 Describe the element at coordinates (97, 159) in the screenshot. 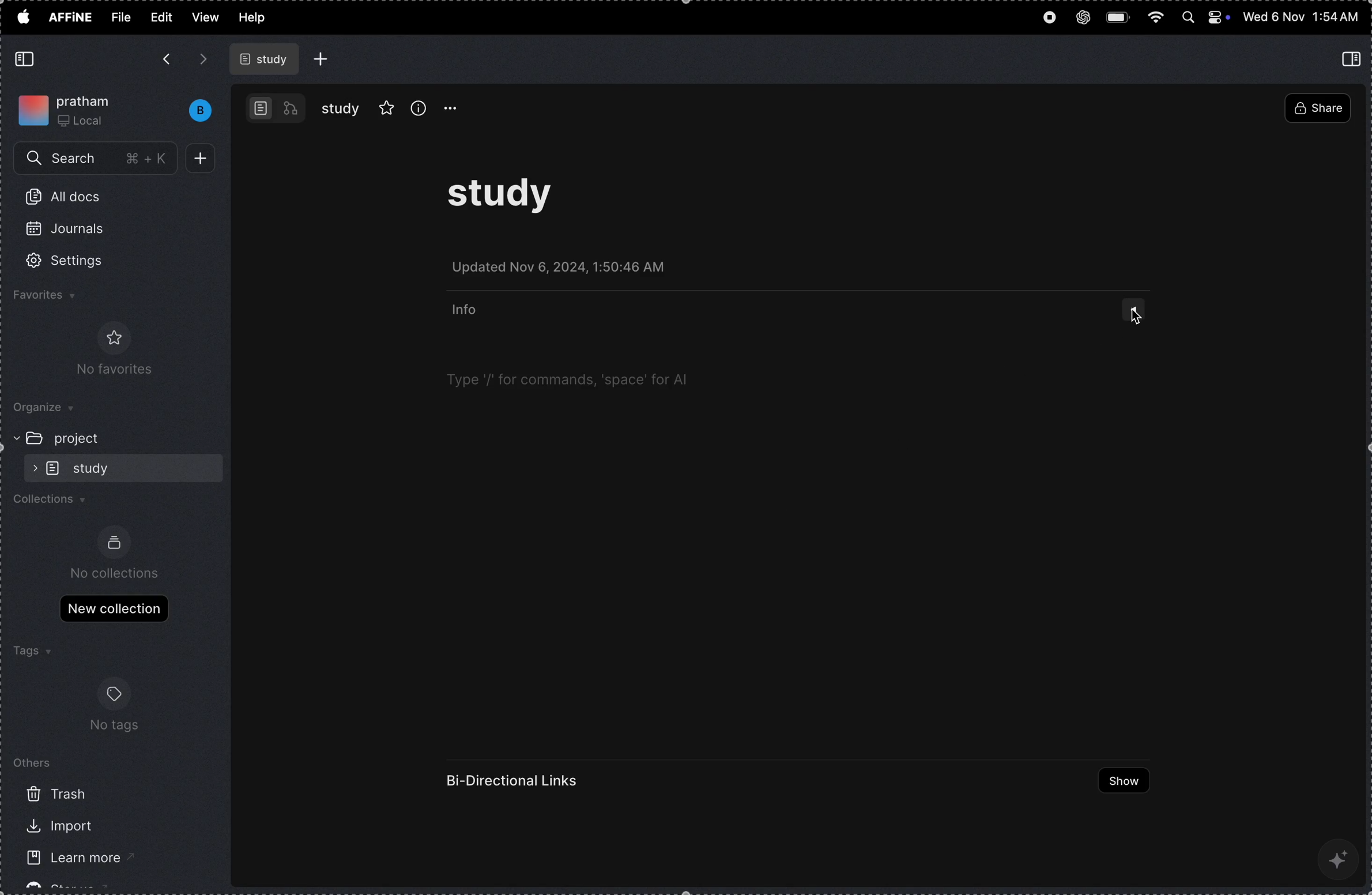

I see `search menu` at that location.